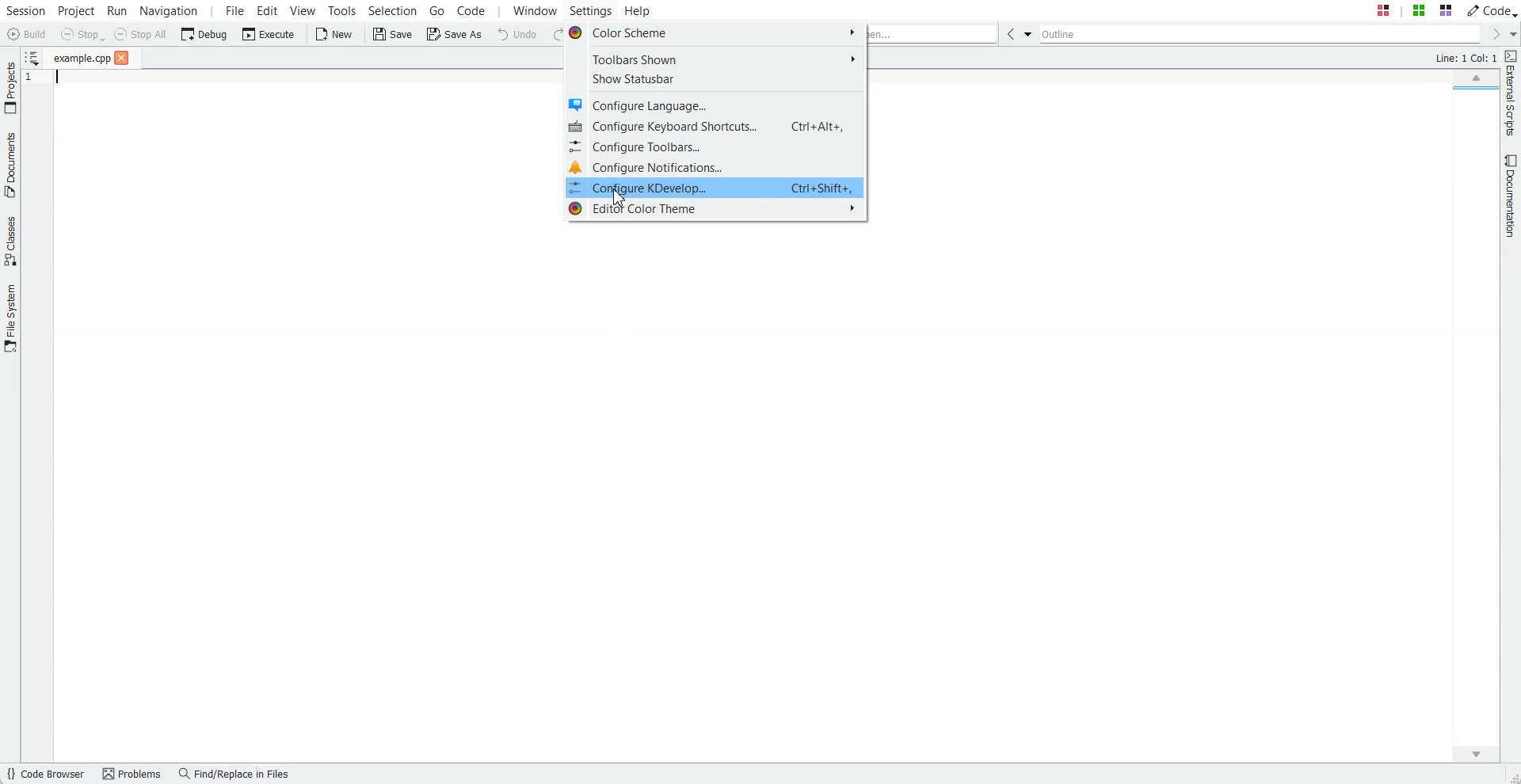  Describe the element at coordinates (716, 104) in the screenshot. I see `Configure Language` at that location.